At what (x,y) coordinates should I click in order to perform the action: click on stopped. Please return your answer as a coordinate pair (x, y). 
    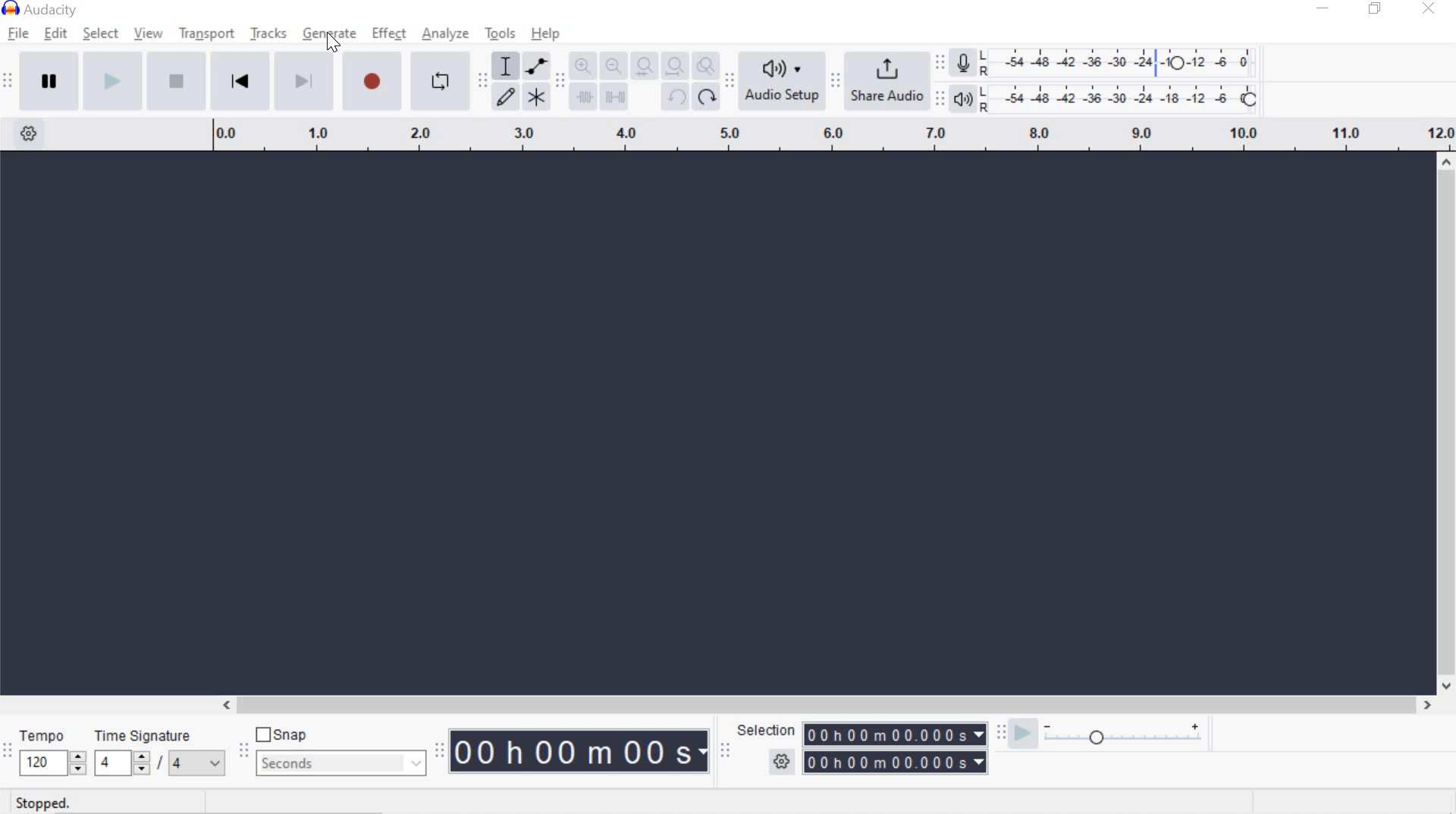
    Looking at the image, I should click on (45, 803).